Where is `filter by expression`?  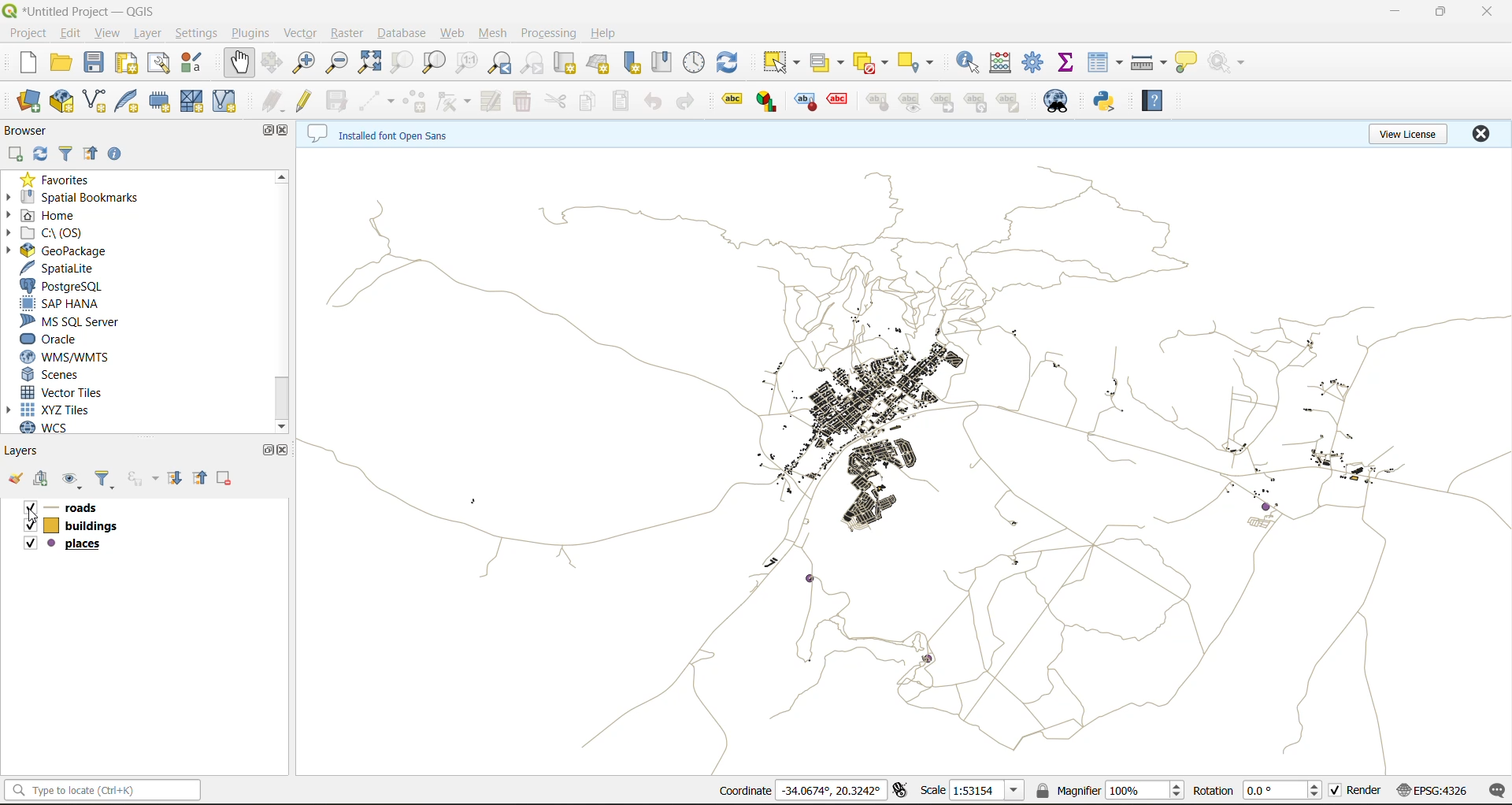 filter by expression is located at coordinates (144, 478).